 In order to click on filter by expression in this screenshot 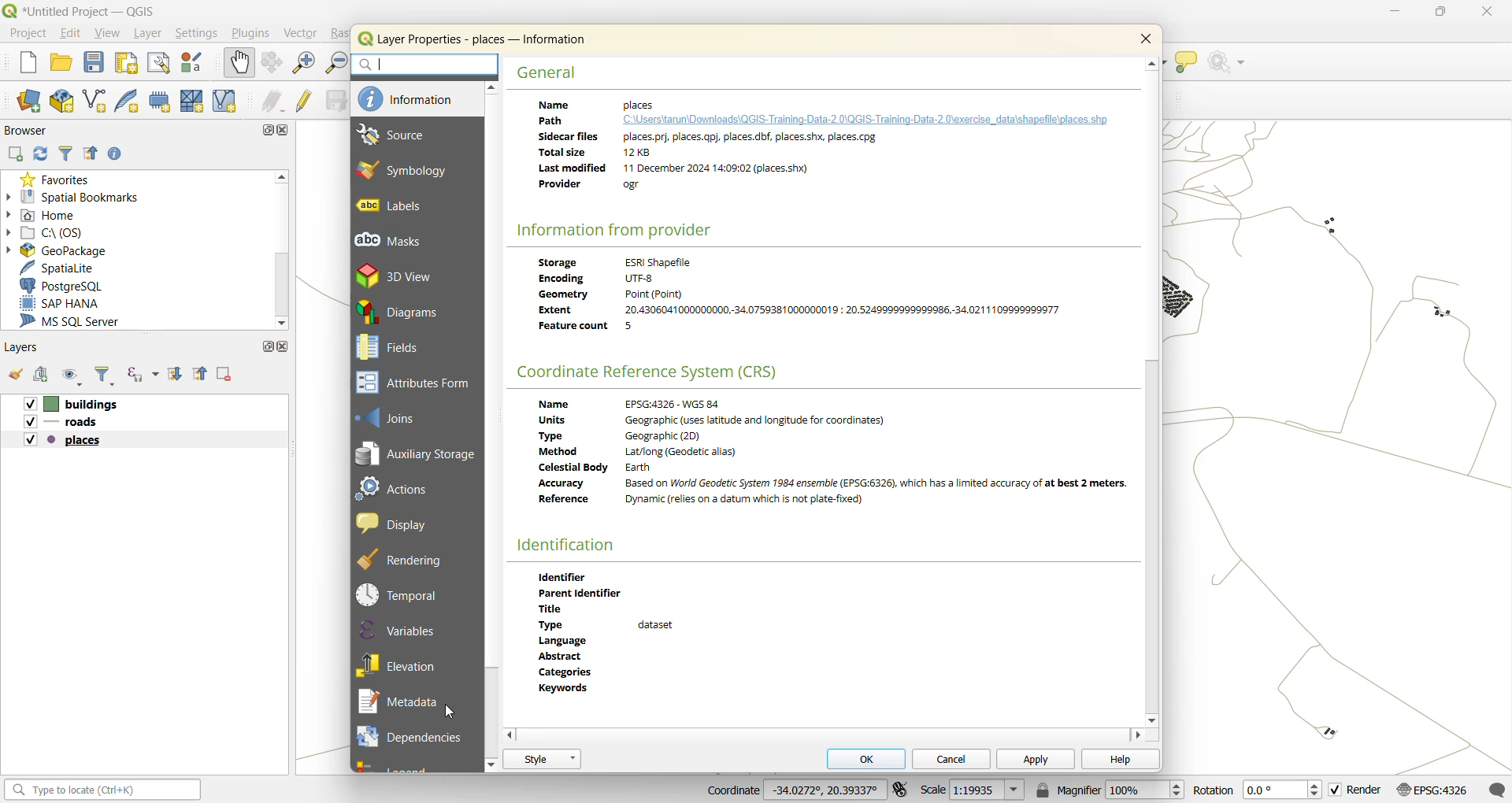, I will do `click(144, 371)`.